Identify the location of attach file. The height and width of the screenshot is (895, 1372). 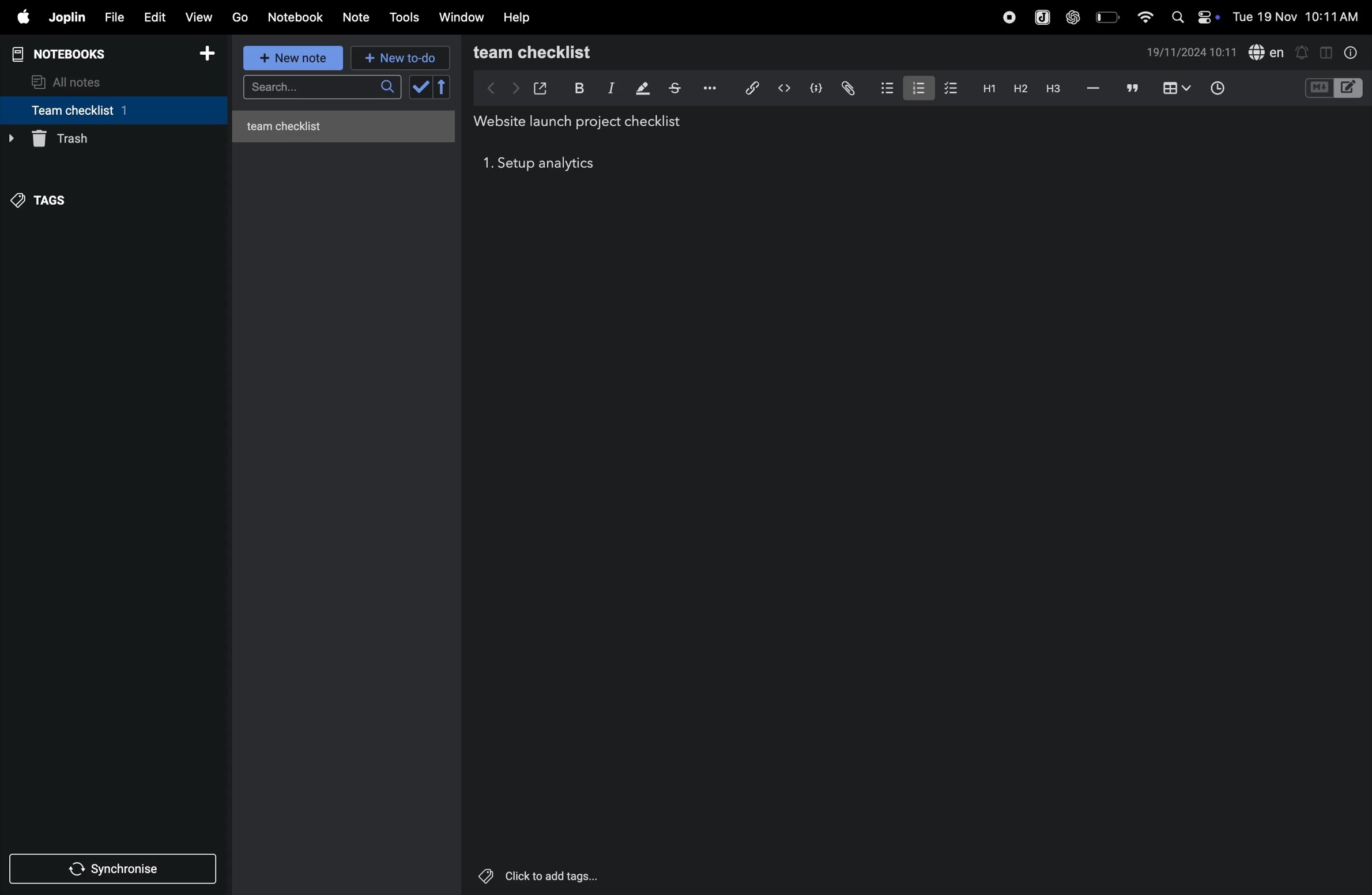
(847, 88).